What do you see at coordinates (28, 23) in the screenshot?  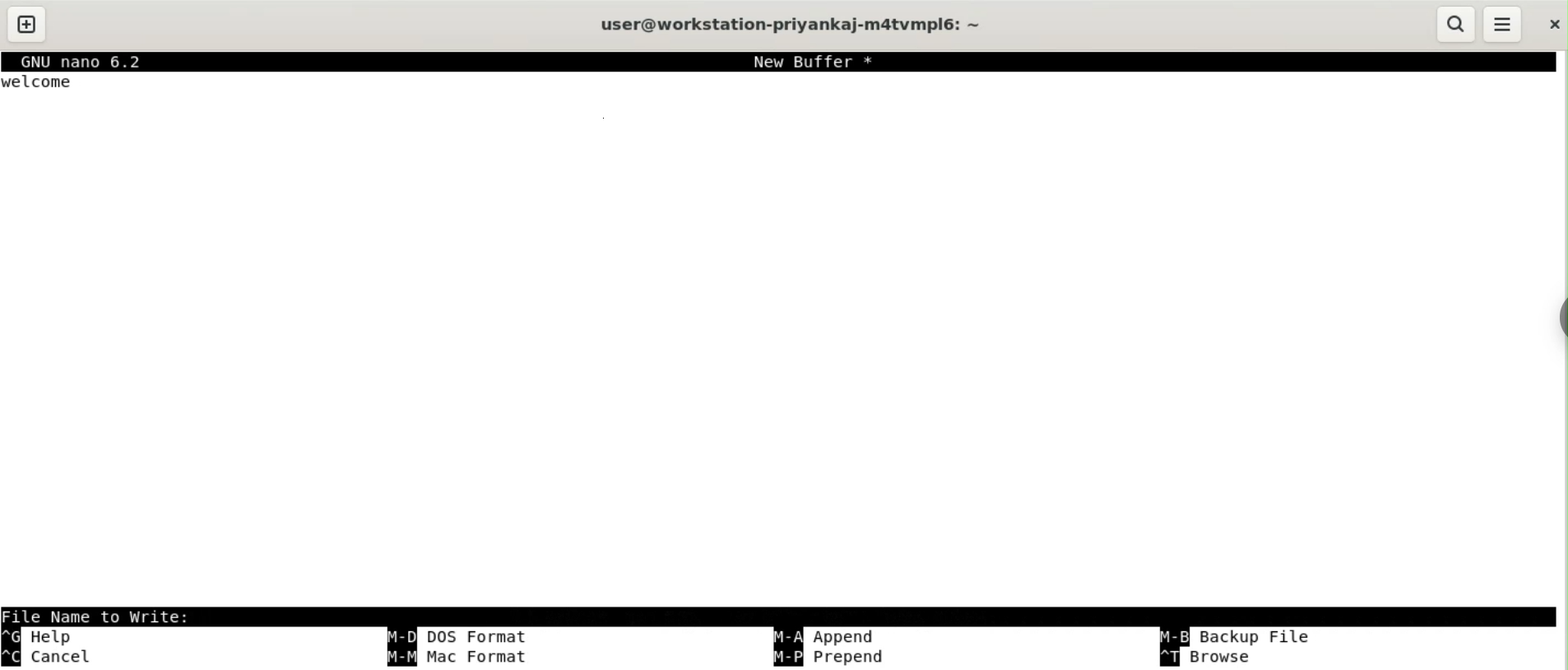 I see `new tab` at bounding box center [28, 23].